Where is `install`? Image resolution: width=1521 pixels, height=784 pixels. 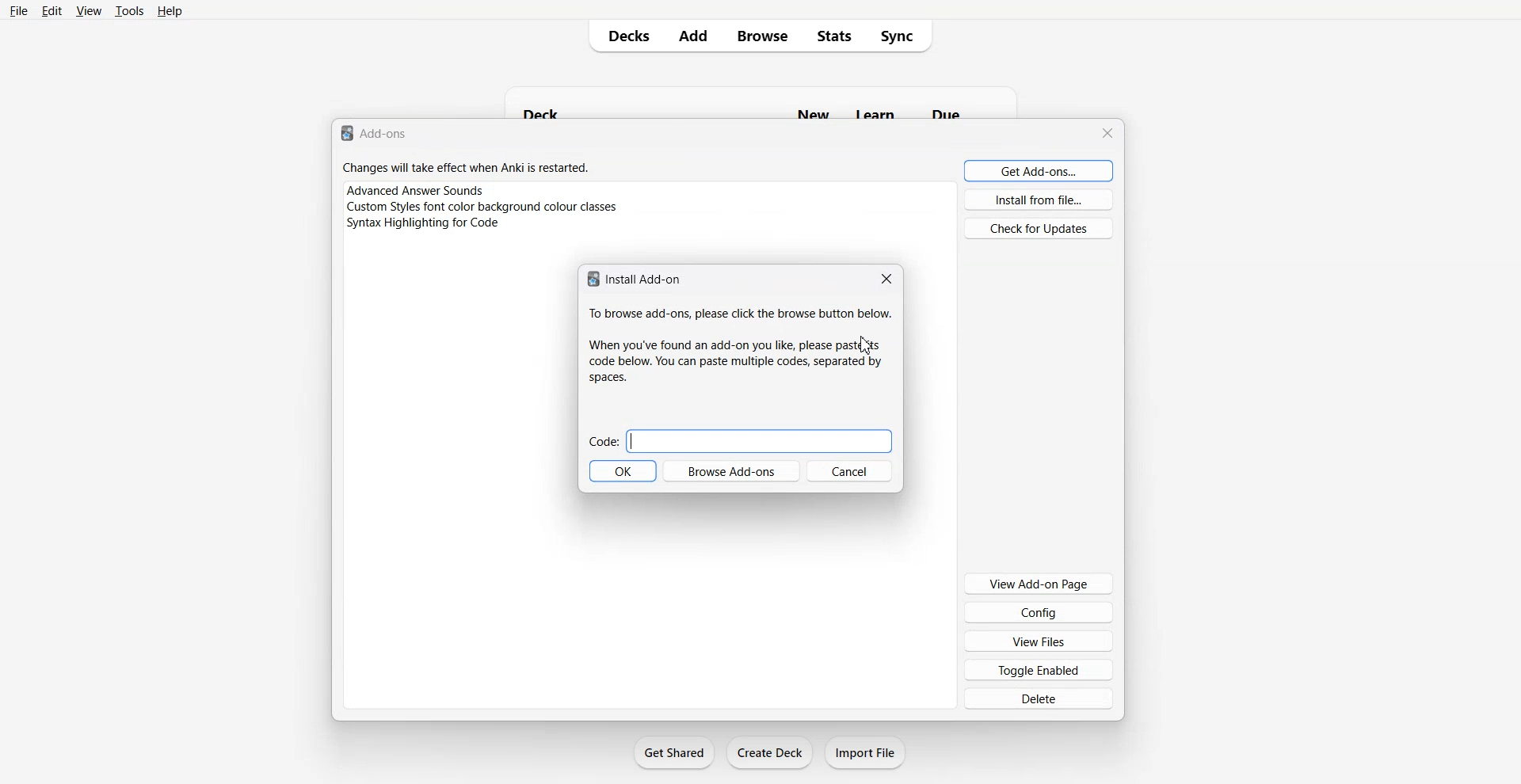
install is located at coordinates (644, 278).